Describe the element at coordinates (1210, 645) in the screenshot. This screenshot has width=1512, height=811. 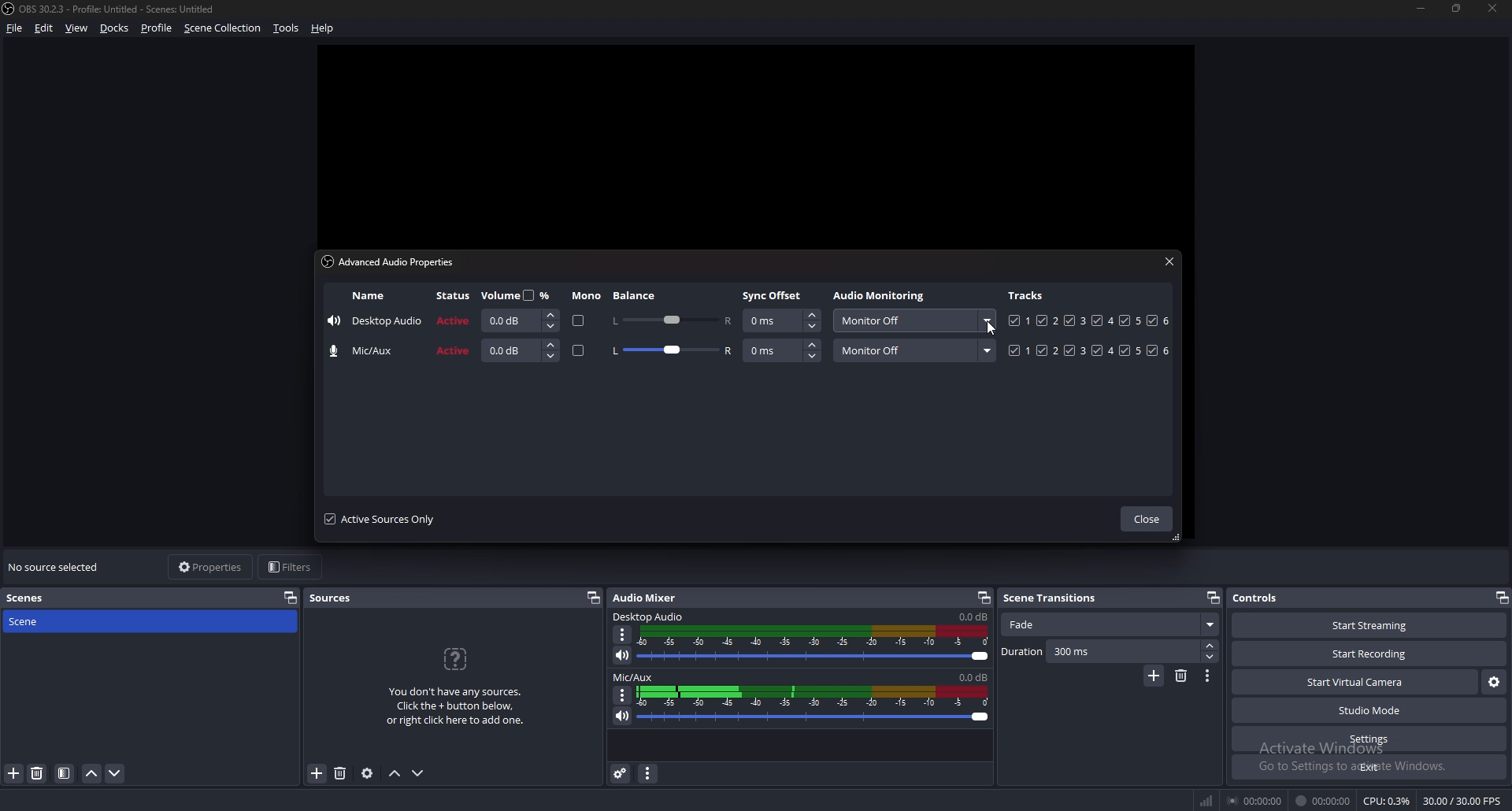
I see `increase duration` at that location.